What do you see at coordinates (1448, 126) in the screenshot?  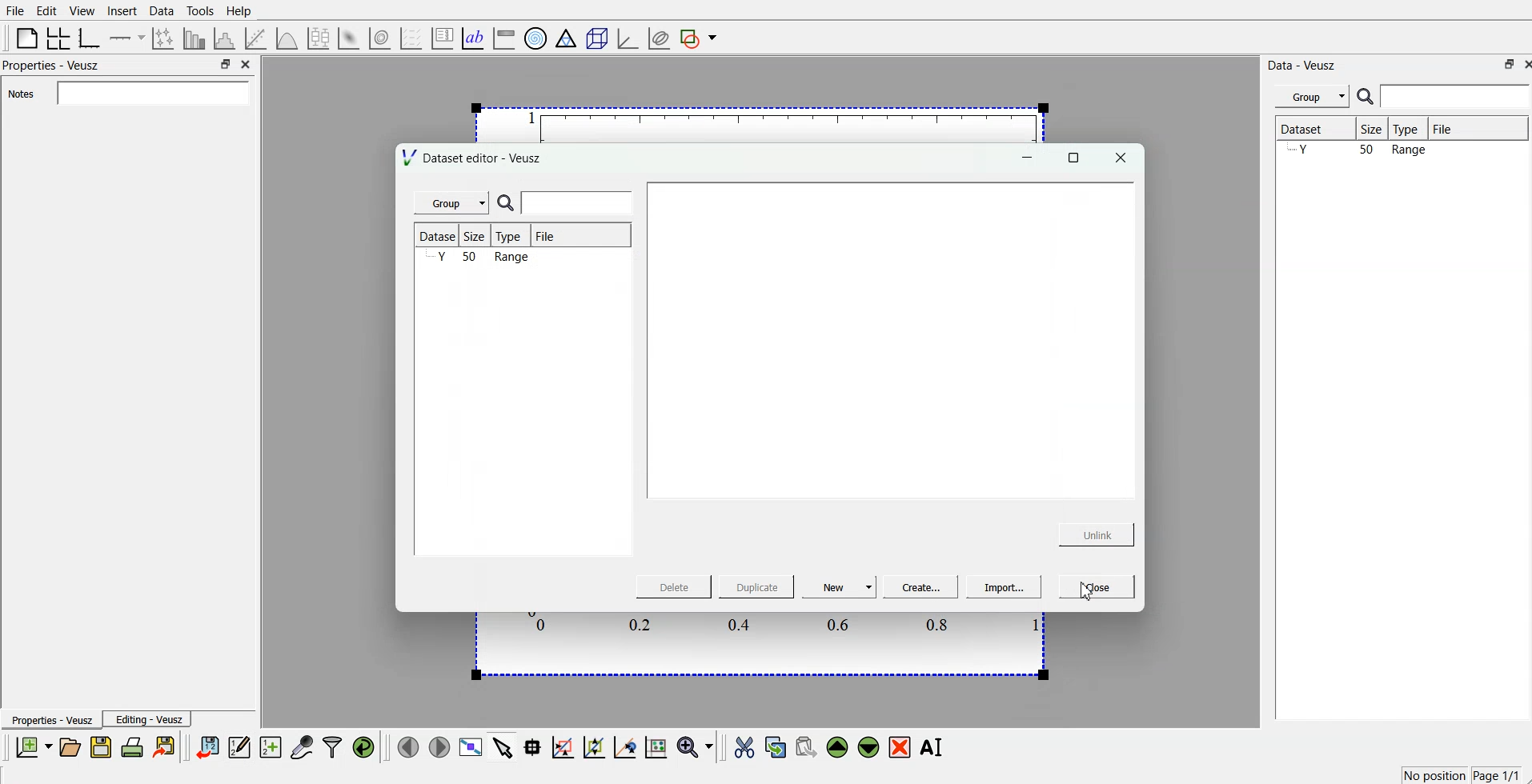 I see `File` at bounding box center [1448, 126].